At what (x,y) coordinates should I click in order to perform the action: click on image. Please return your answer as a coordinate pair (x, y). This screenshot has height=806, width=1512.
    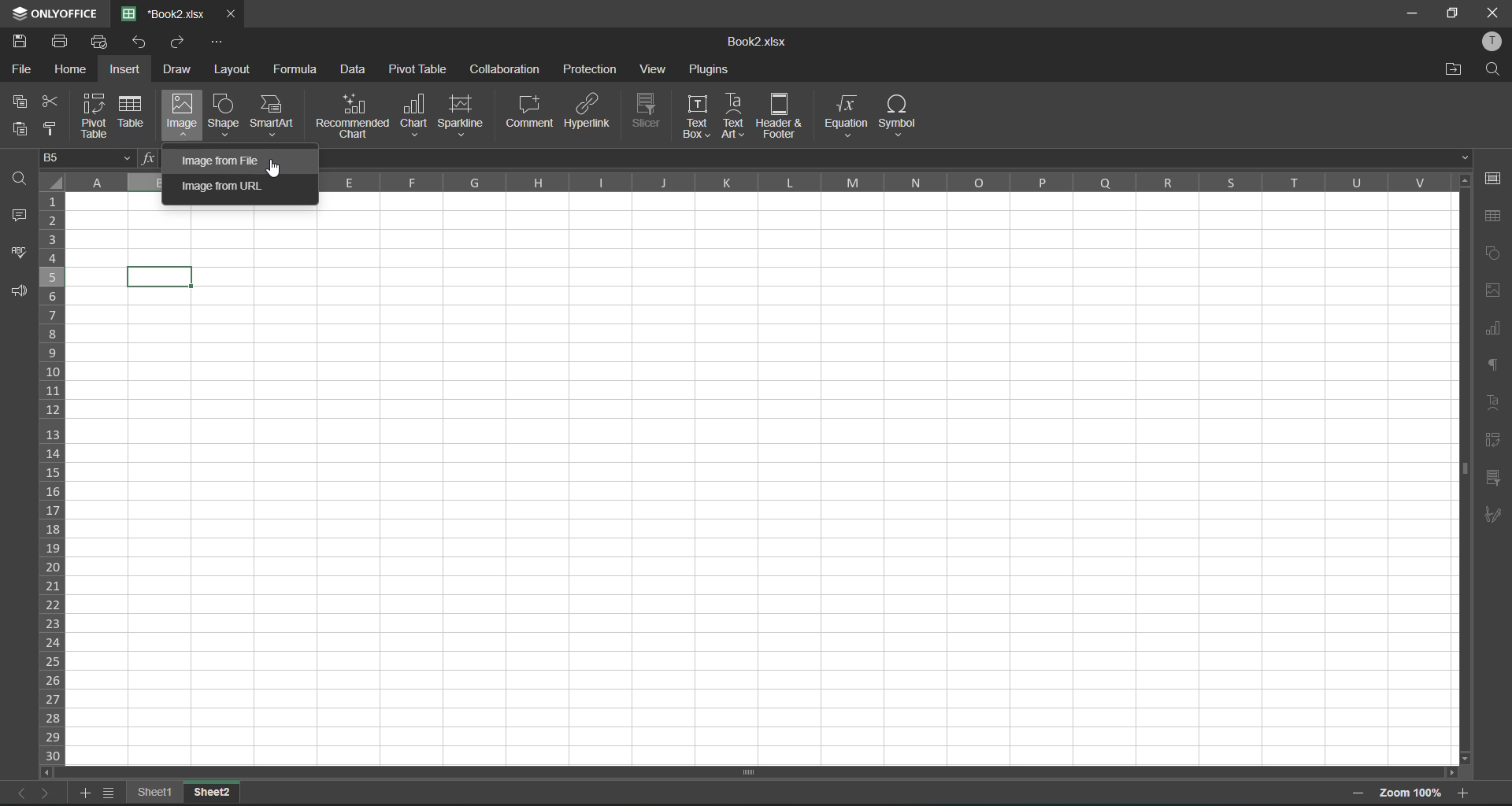
    Looking at the image, I should click on (180, 113).